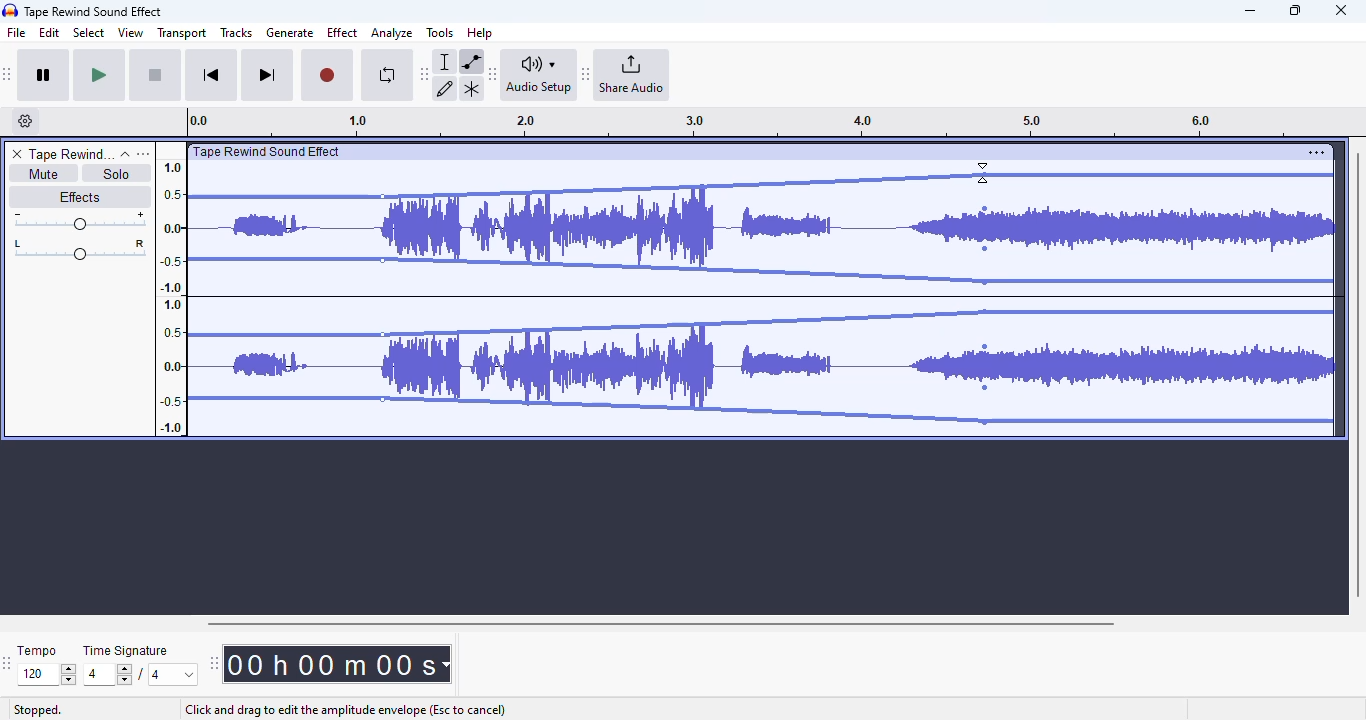 The image size is (1366, 720). I want to click on view, so click(131, 33).